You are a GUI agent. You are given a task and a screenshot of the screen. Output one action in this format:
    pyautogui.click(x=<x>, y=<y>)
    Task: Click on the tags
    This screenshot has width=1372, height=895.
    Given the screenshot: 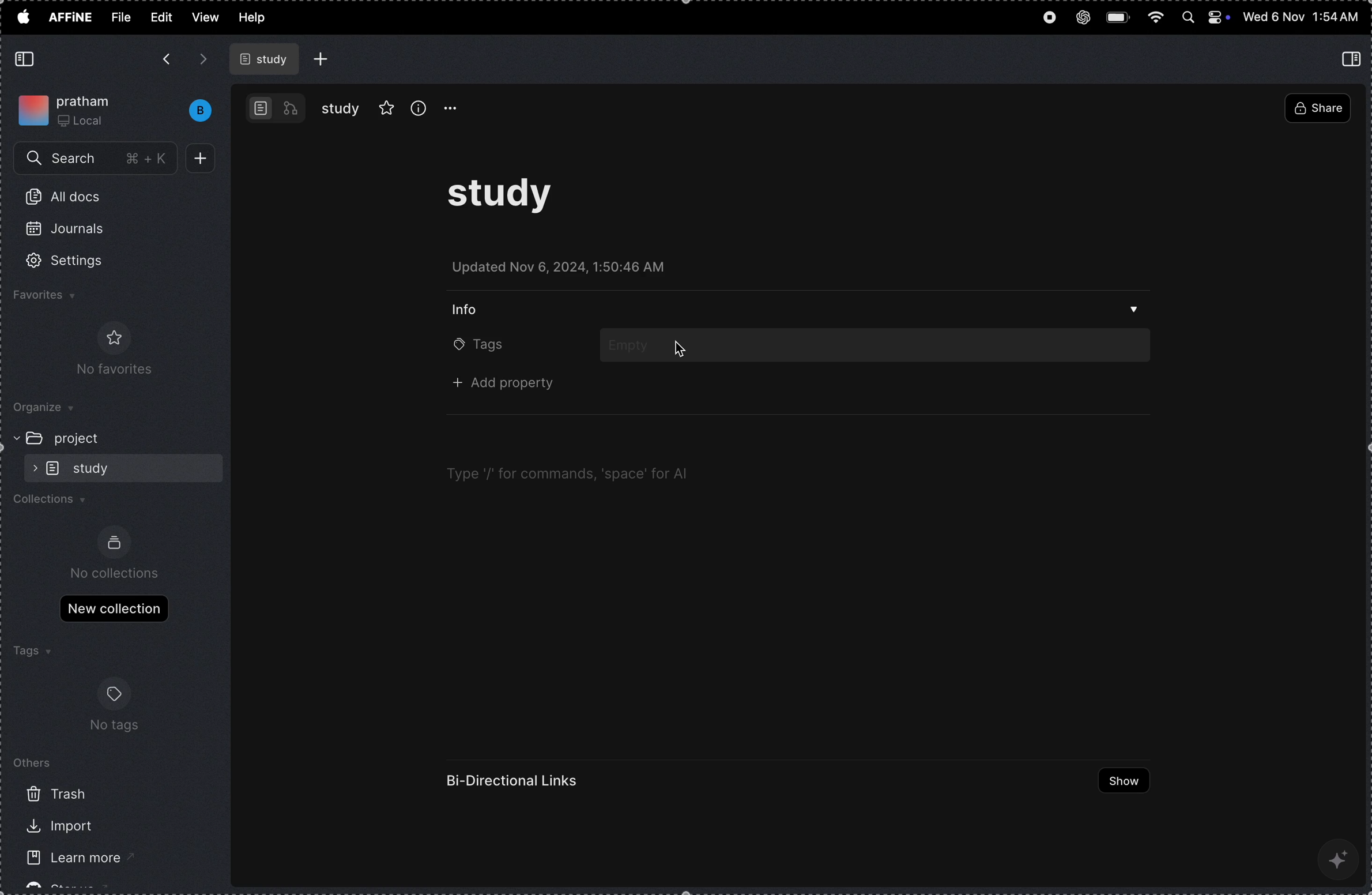 What is the action you would take?
    pyautogui.click(x=480, y=347)
    